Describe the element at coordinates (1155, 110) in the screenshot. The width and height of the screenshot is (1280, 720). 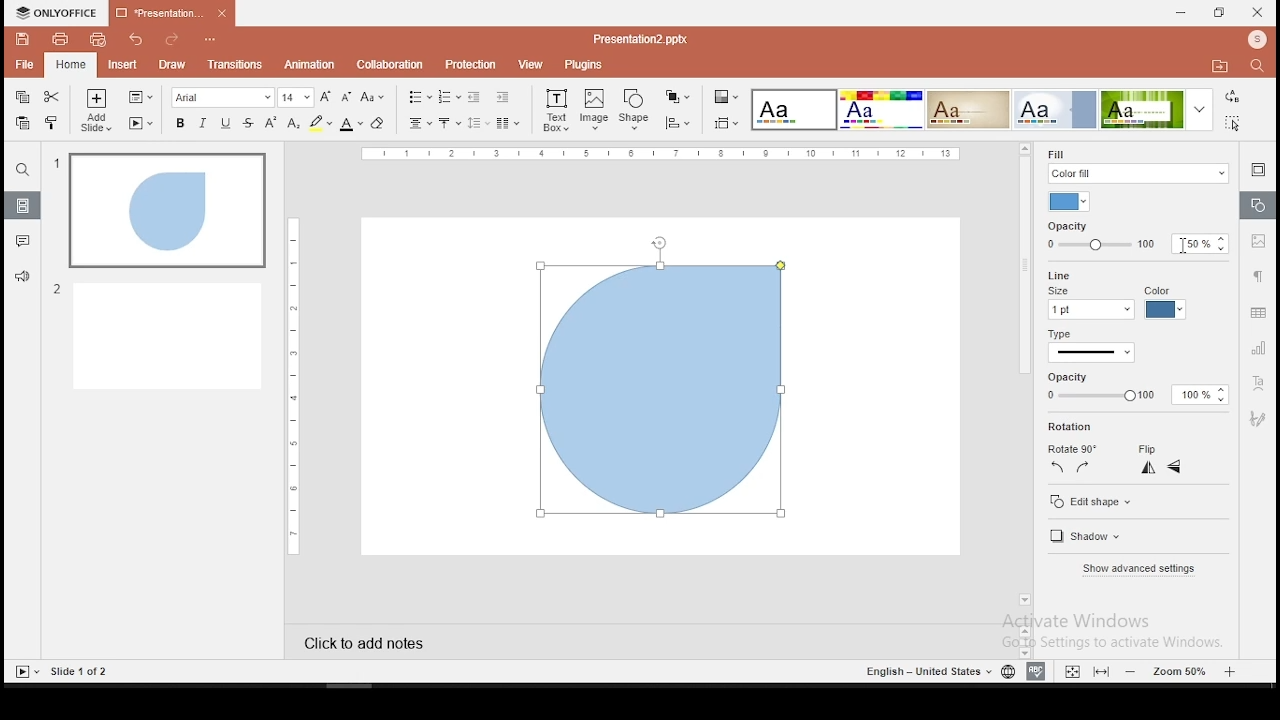
I see `theme` at that location.